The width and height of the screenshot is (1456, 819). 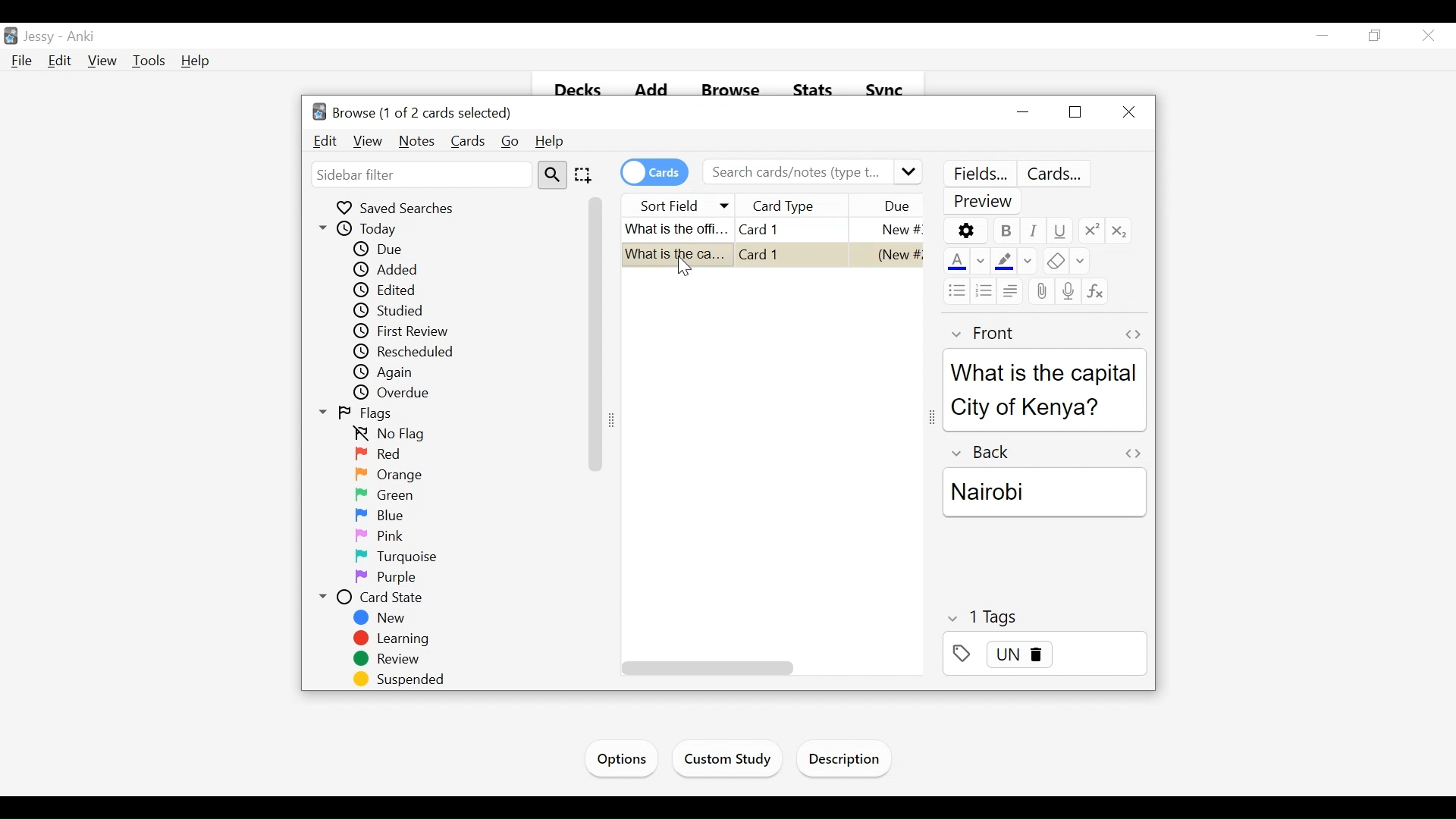 I want to click on Sort Field, so click(x=679, y=204).